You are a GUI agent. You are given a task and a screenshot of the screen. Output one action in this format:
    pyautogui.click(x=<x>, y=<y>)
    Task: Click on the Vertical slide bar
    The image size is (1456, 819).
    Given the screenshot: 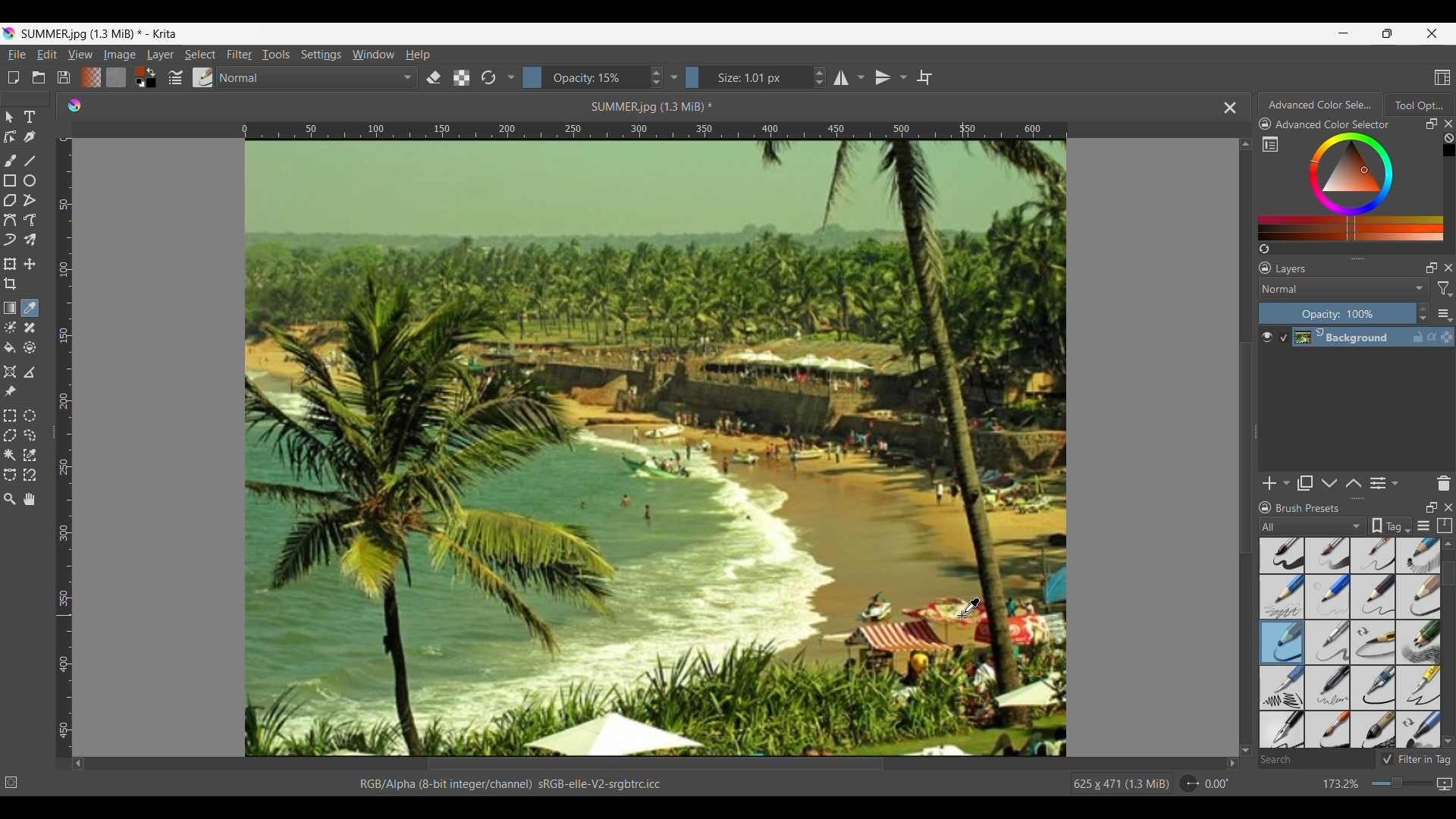 What is the action you would take?
    pyautogui.click(x=1246, y=448)
    